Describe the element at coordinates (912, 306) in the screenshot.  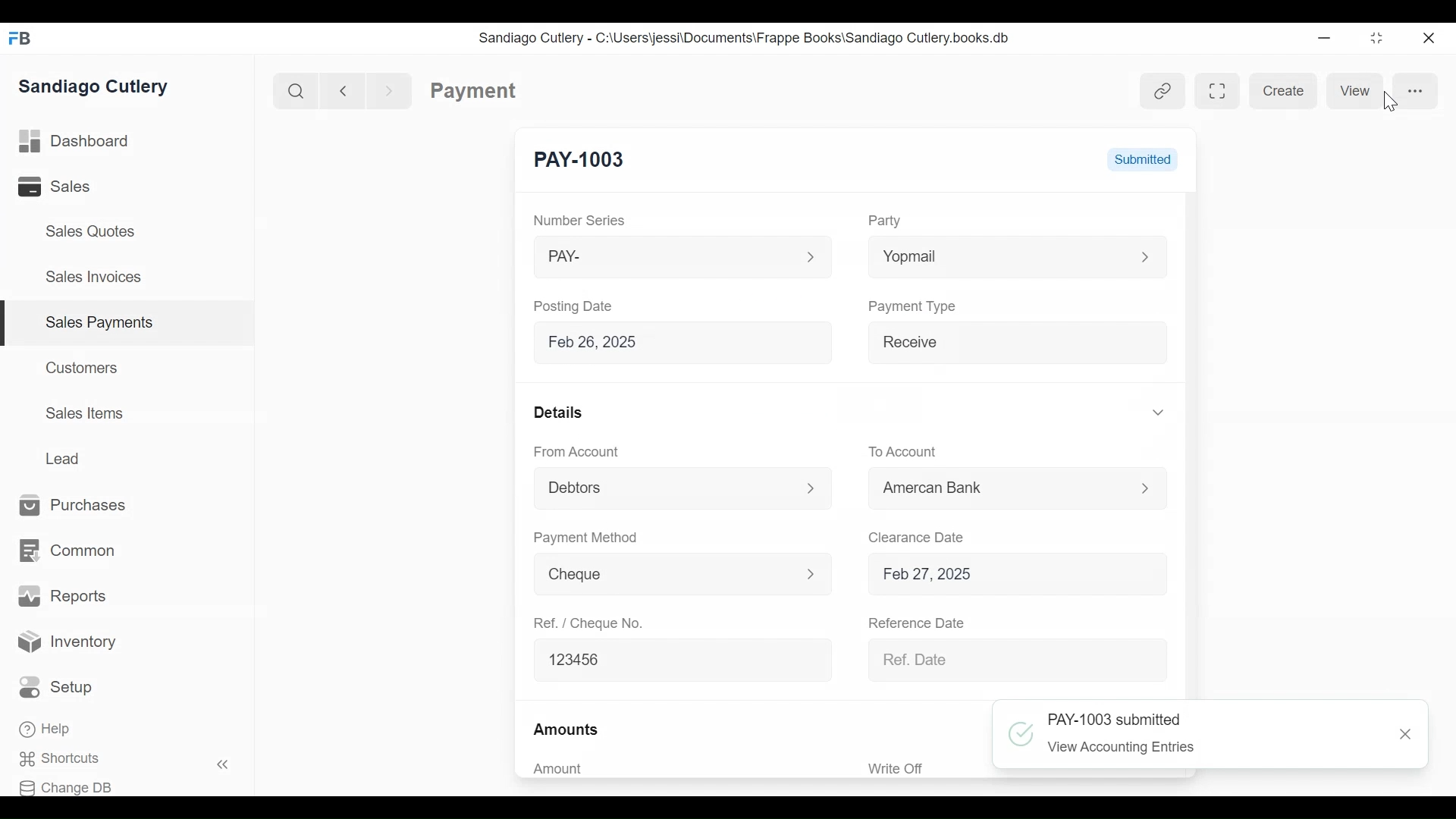
I see `Payment Type` at that location.